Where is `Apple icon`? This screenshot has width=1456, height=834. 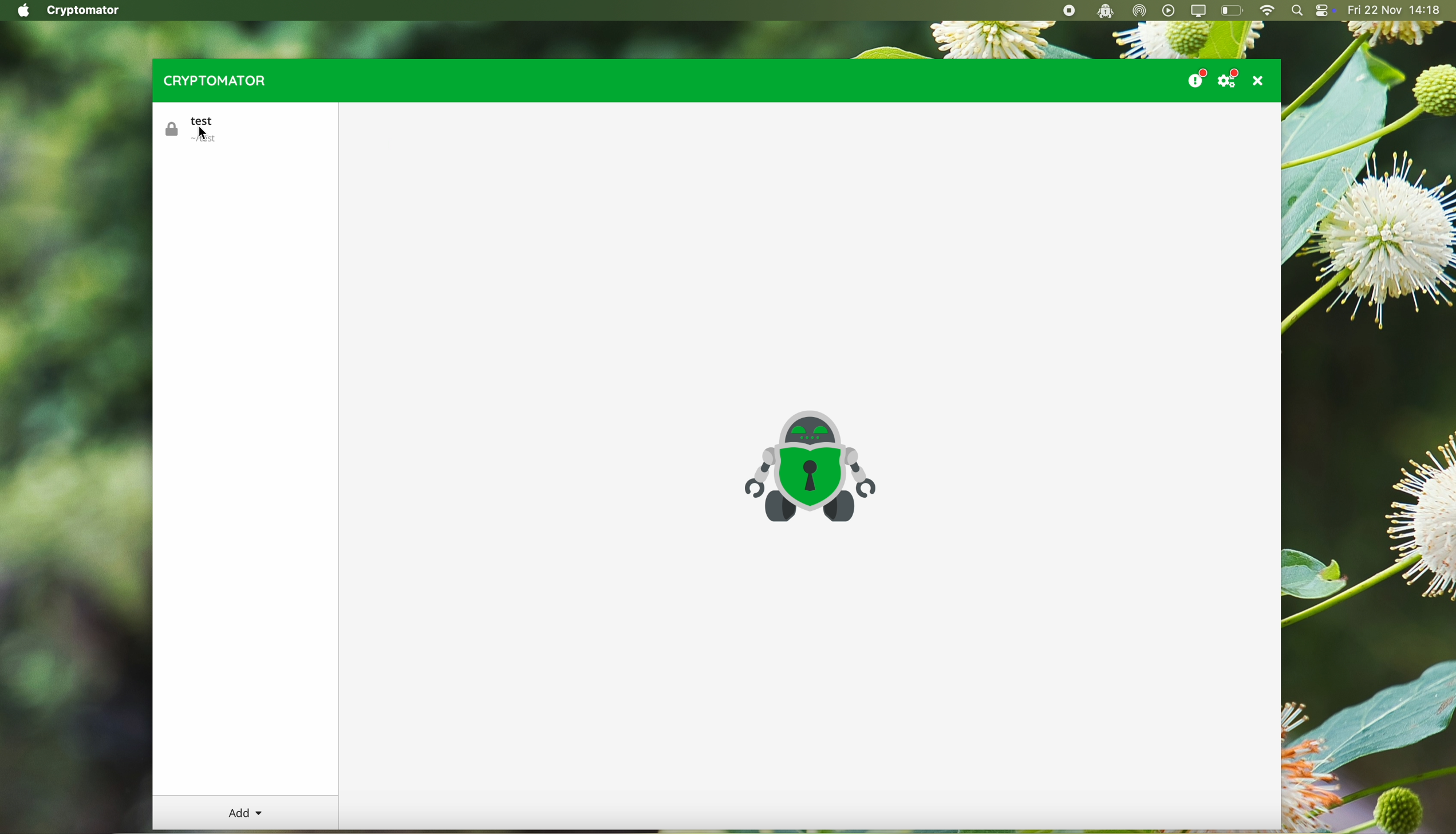
Apple icon is located at coordinates (20, 10).